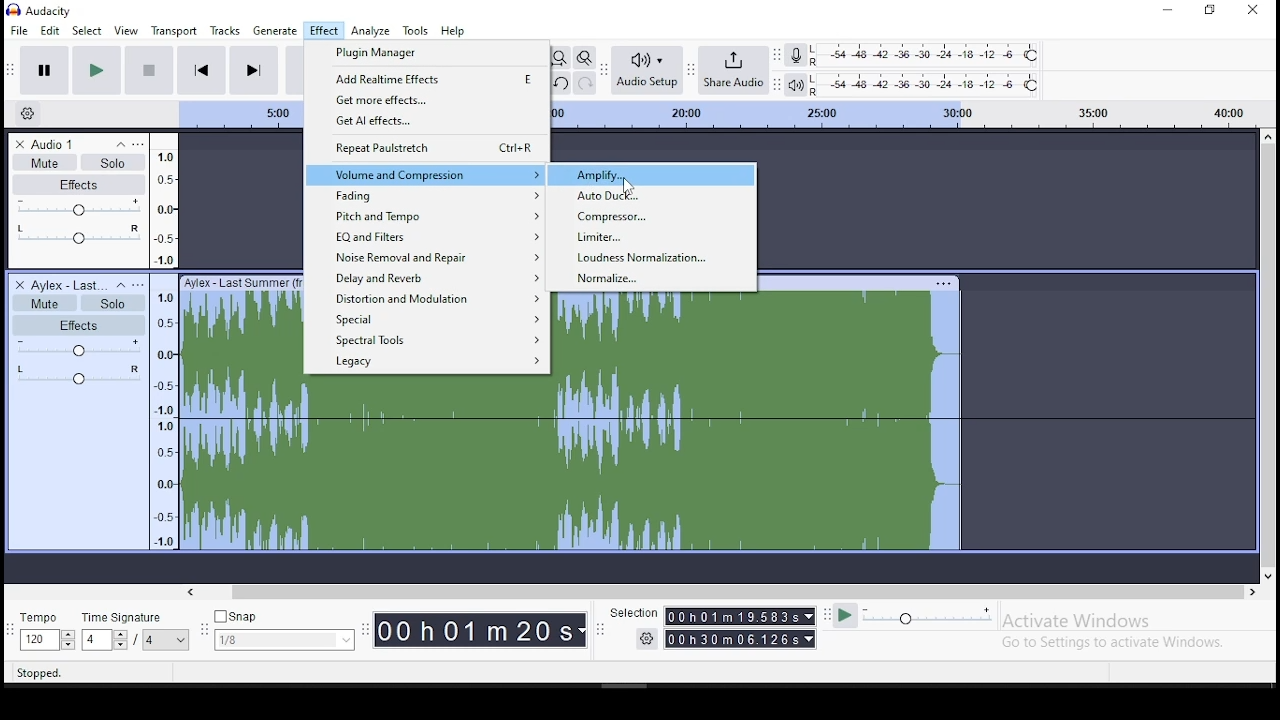  I want to click on audio track, so click(765, 336).